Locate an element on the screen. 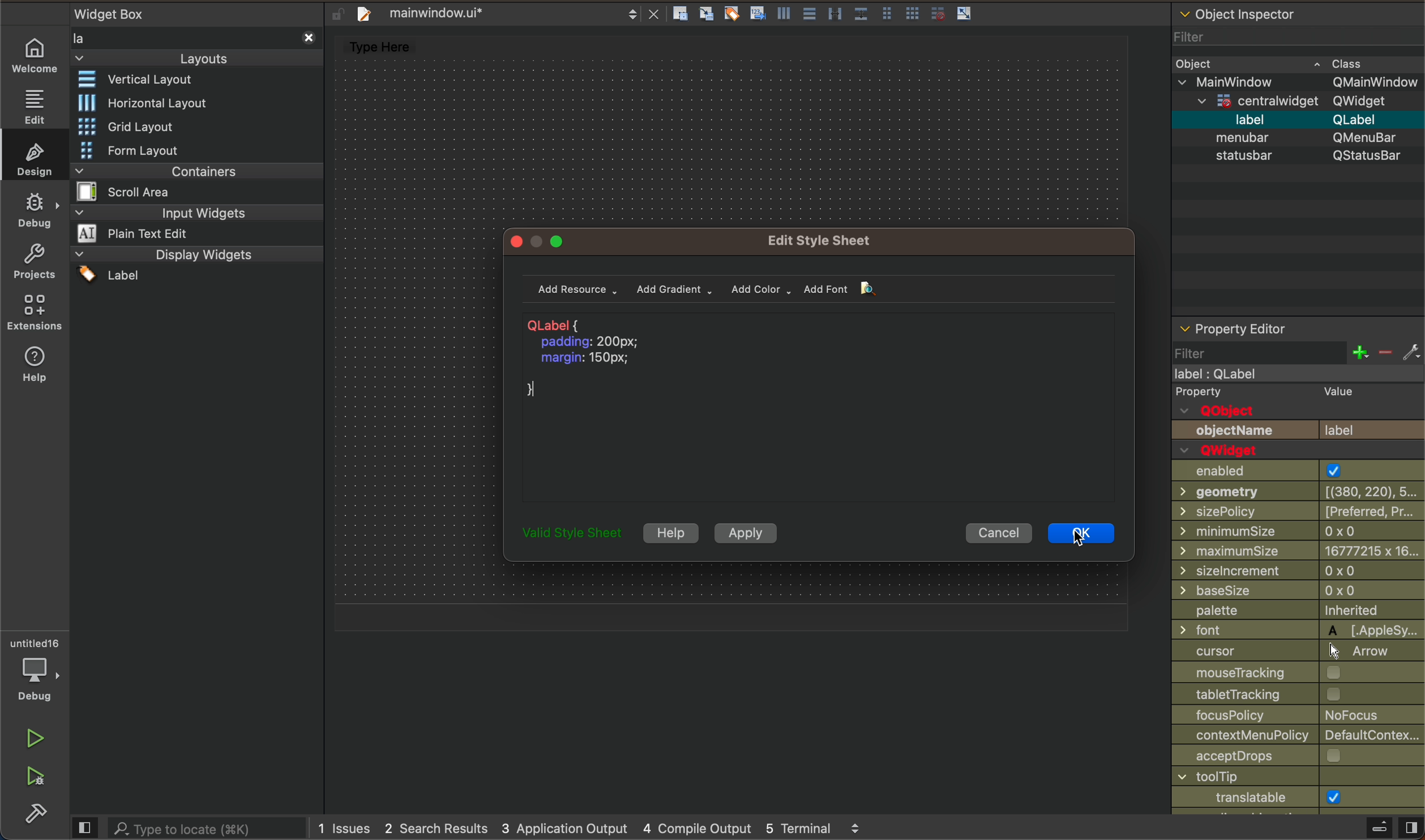 This screenshot has width=1425, height=840. debugger is located at coordinates (38, 668).